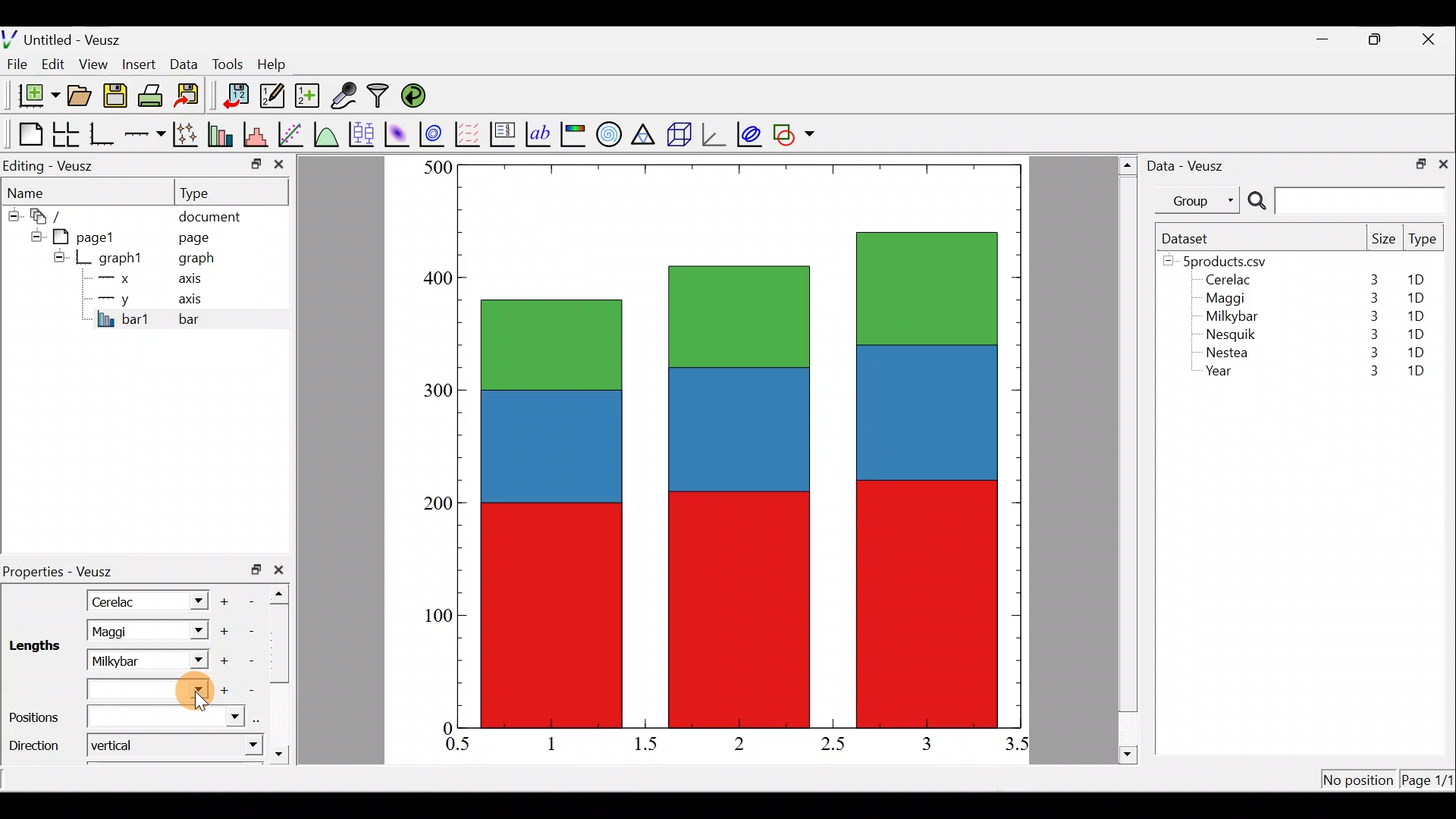  Describe the element at coordinates (90, 235) in the screenshot. I see `pagel` at that location.